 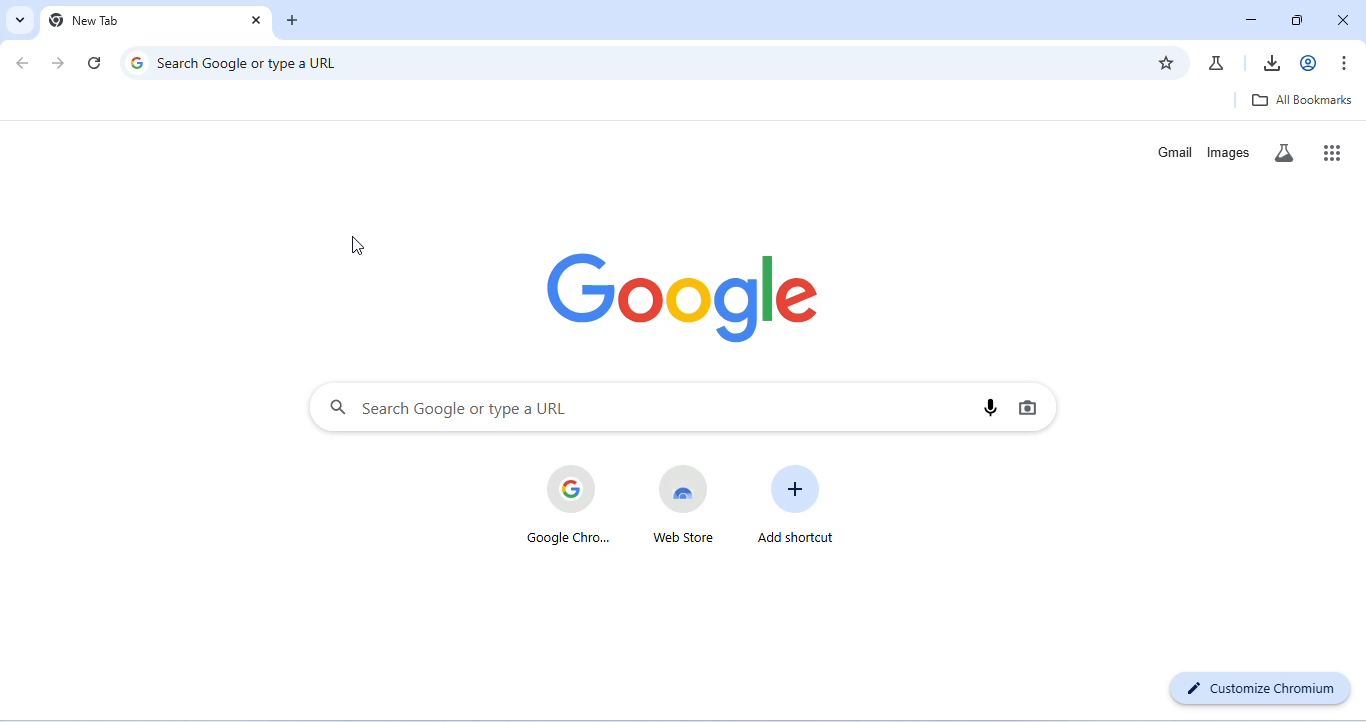 I want to click on maximize, so click(x=1297, y=20).